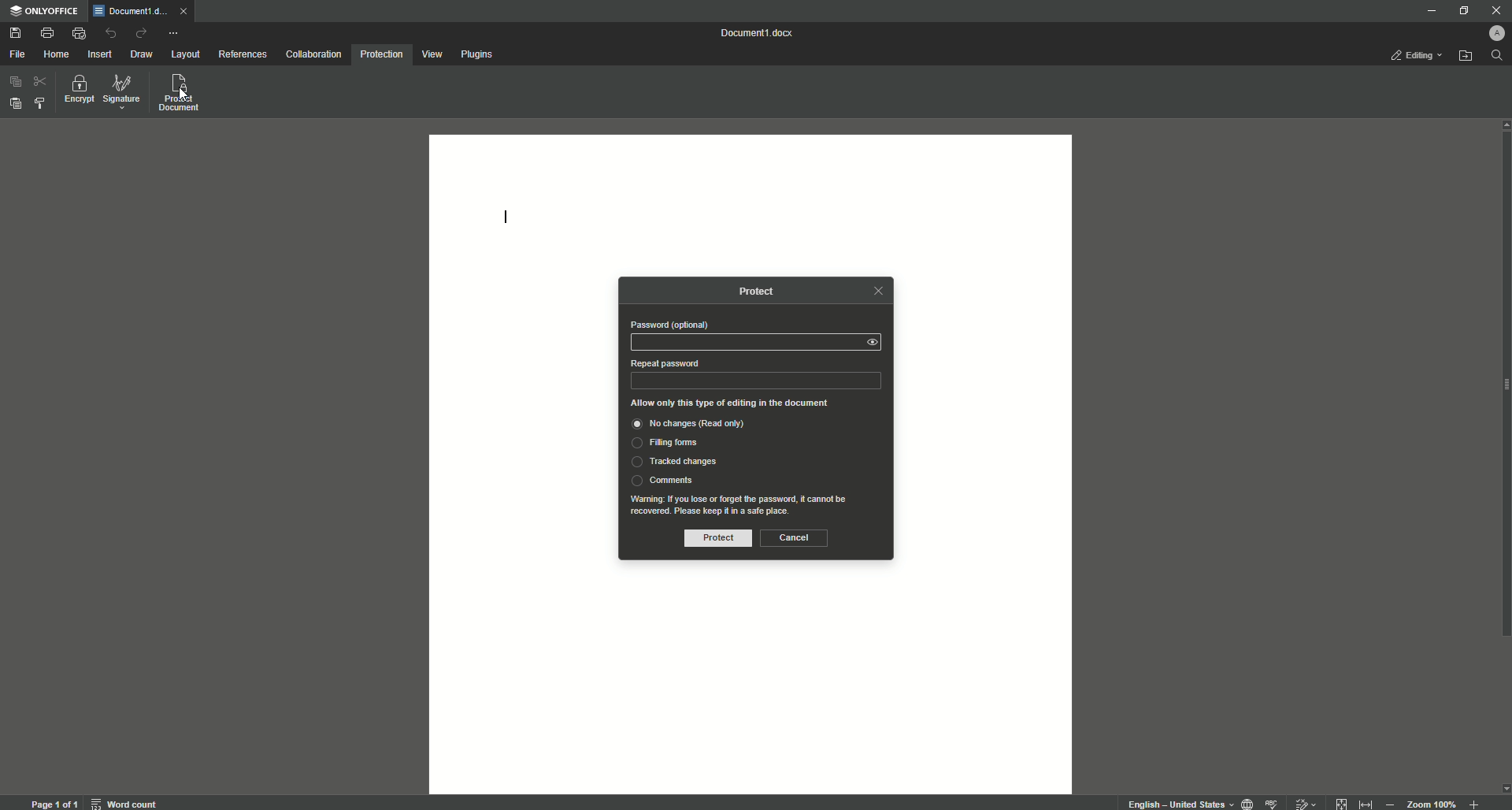 Image resolution: width=1512 pixels, height=810 pixels. Describe the element at coordinates (17, 33) in the screenshot. I see `Save` at that location.